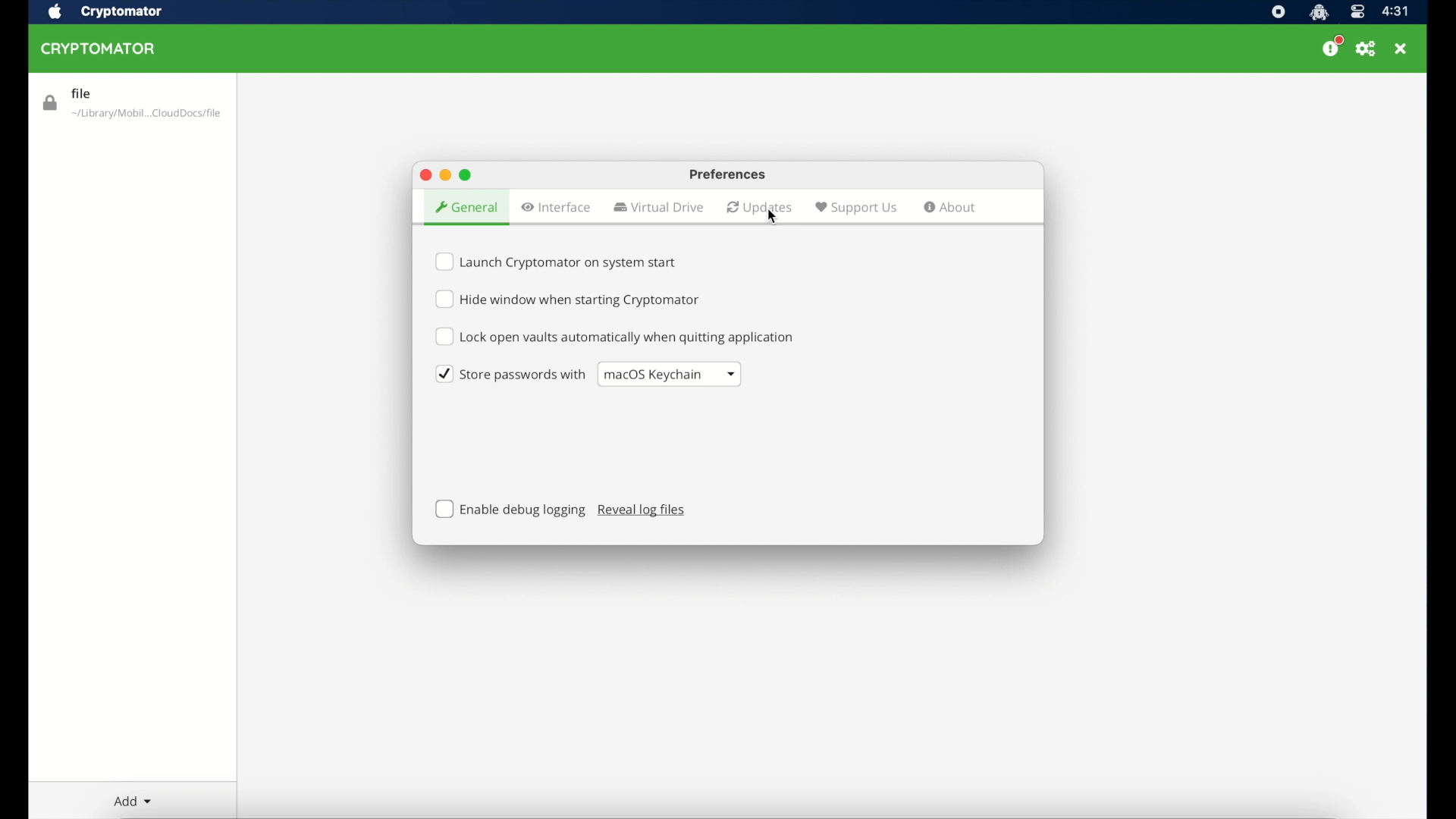 This screenshot has height=819, width=1456. What do you see at coordinates (511, 510) in the screenshot?
I see `enable debug logging` at bounding box center [511, 510].